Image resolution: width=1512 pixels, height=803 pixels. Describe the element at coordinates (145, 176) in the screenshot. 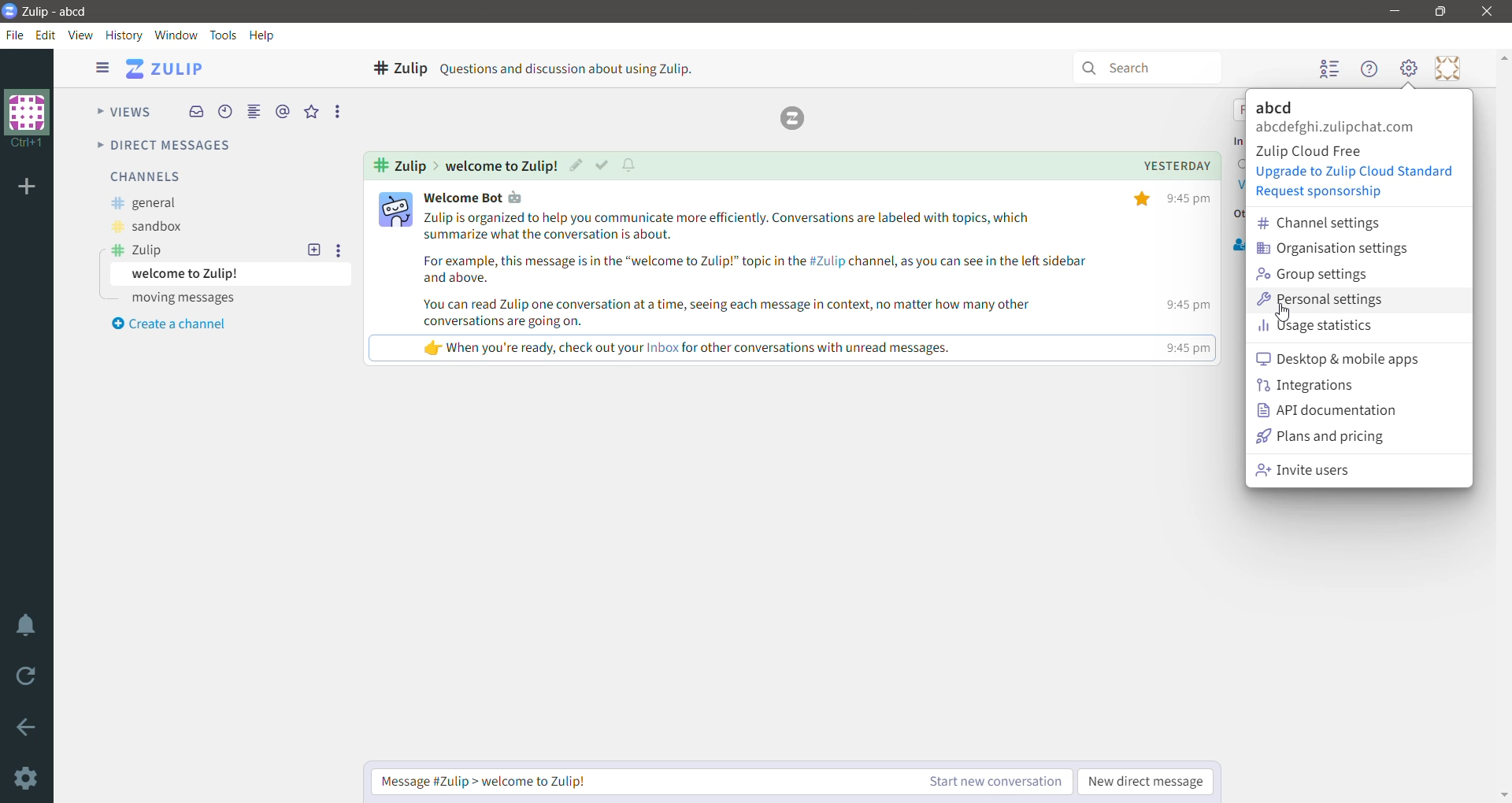

I see `Channels` at that location.